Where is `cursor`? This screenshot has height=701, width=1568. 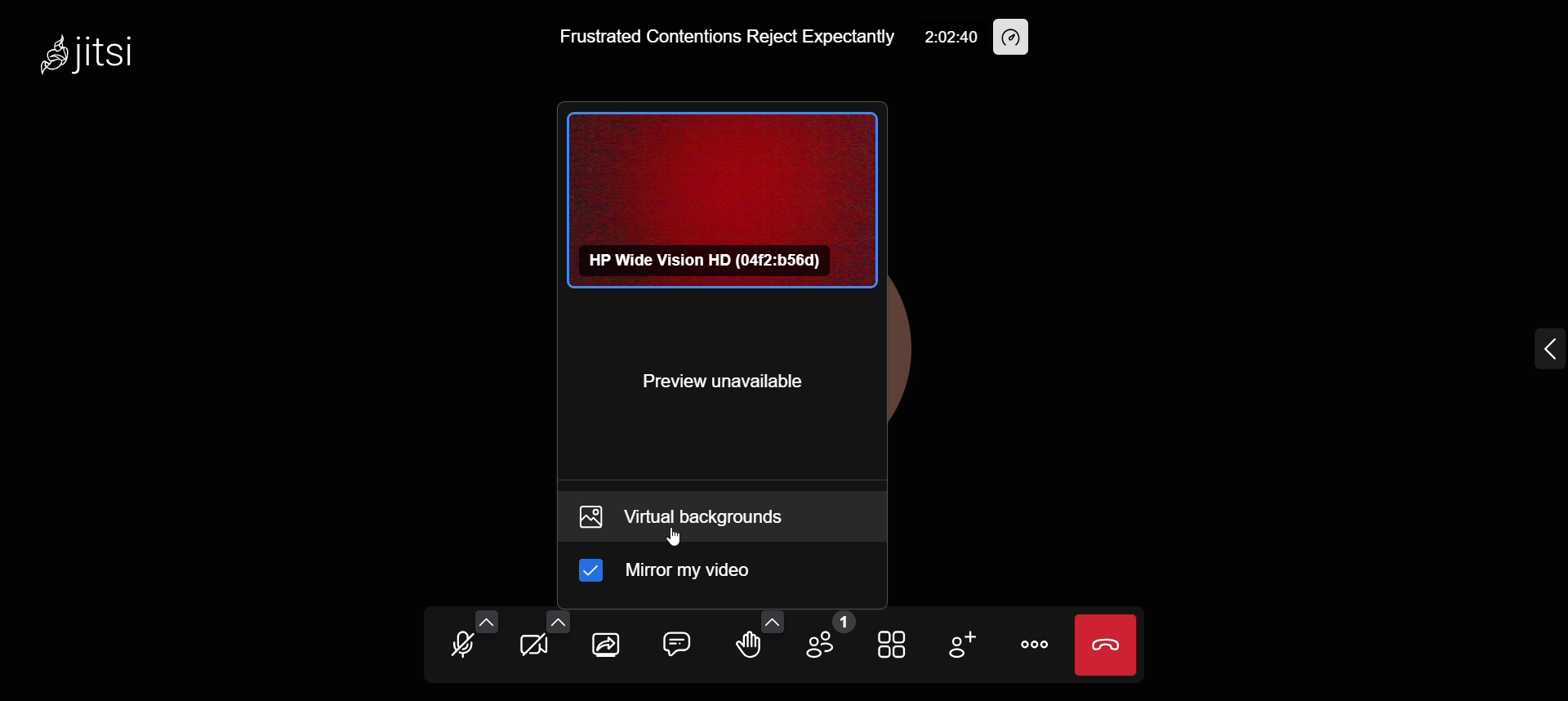
cursor is located at coordinates (679, 537).